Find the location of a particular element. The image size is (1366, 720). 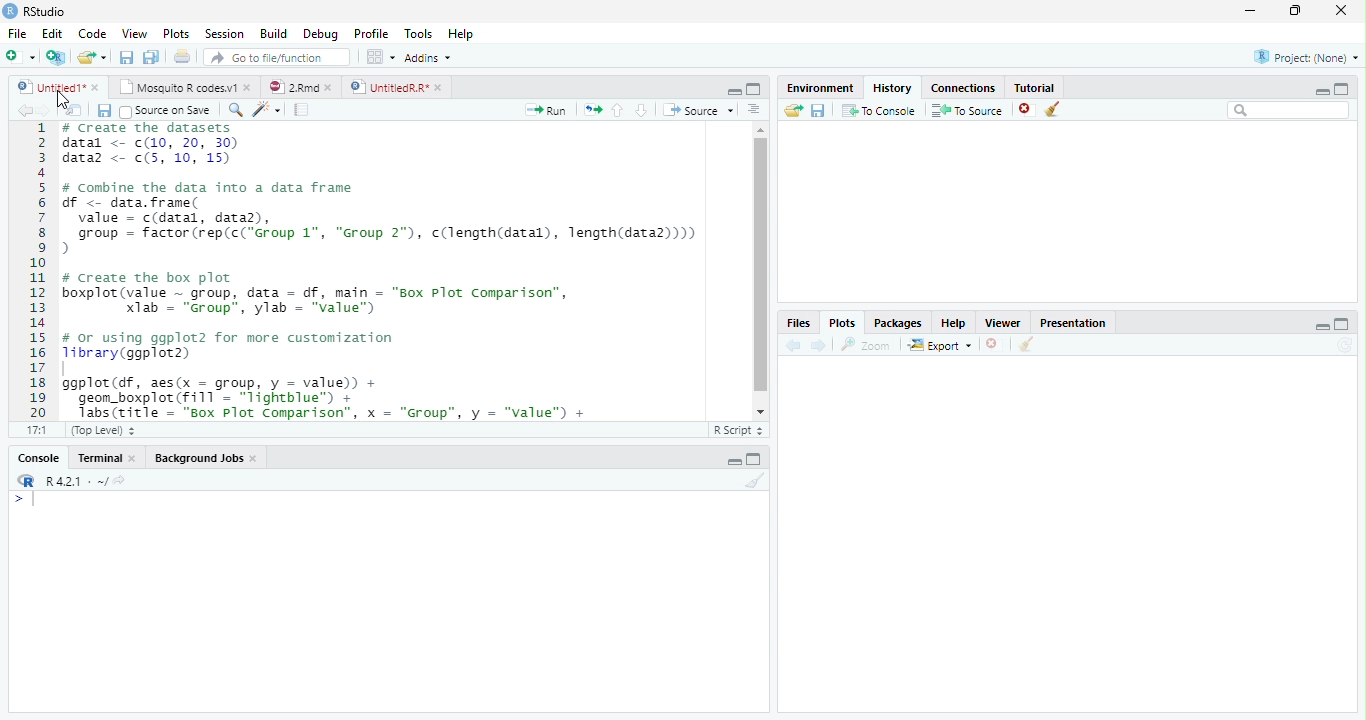

History is located at coordinates (893, 88).